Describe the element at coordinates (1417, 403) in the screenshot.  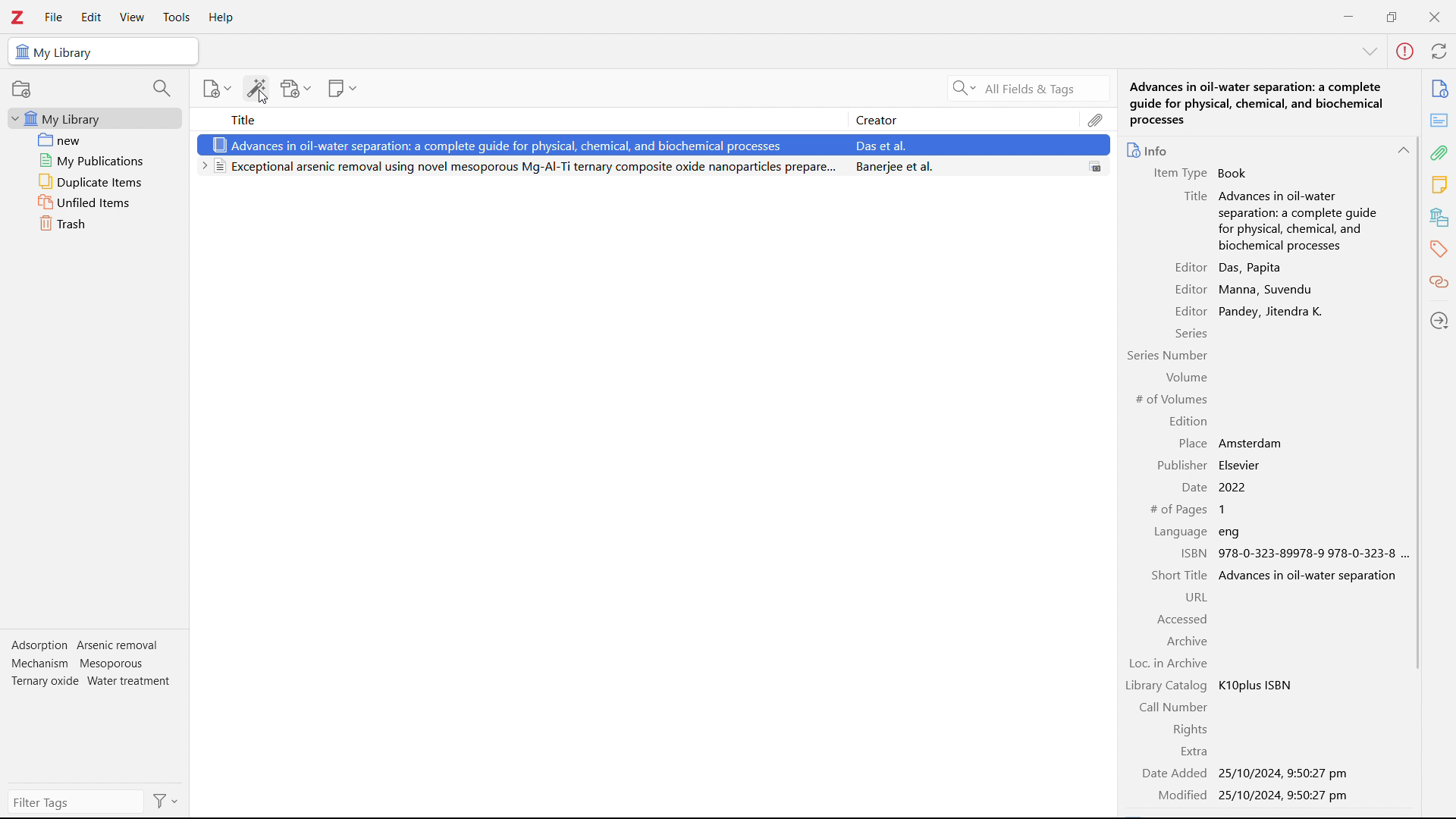
I see `vertical scrollbar` at that location.